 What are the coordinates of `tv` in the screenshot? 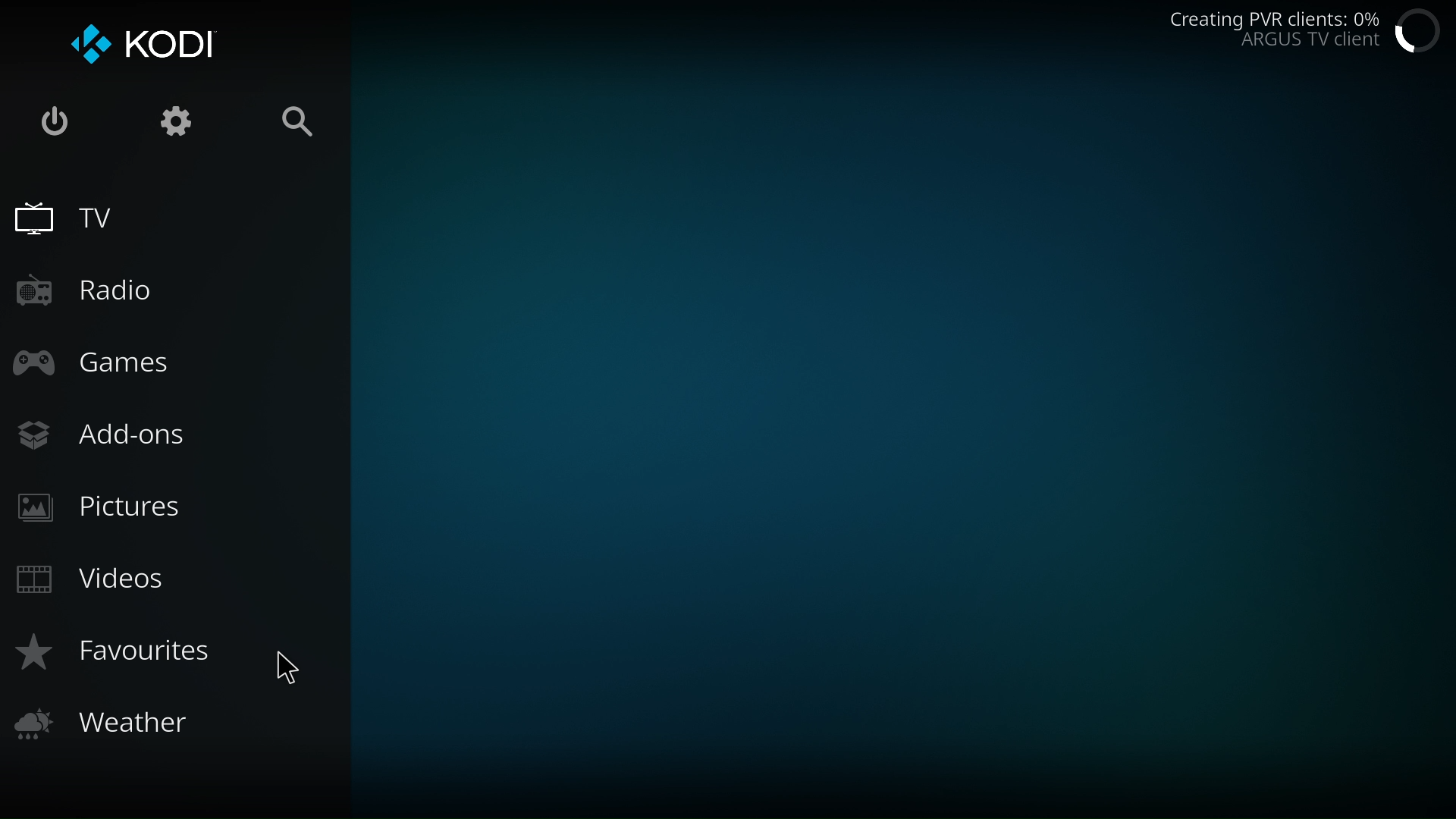 It's located at (67, 217).